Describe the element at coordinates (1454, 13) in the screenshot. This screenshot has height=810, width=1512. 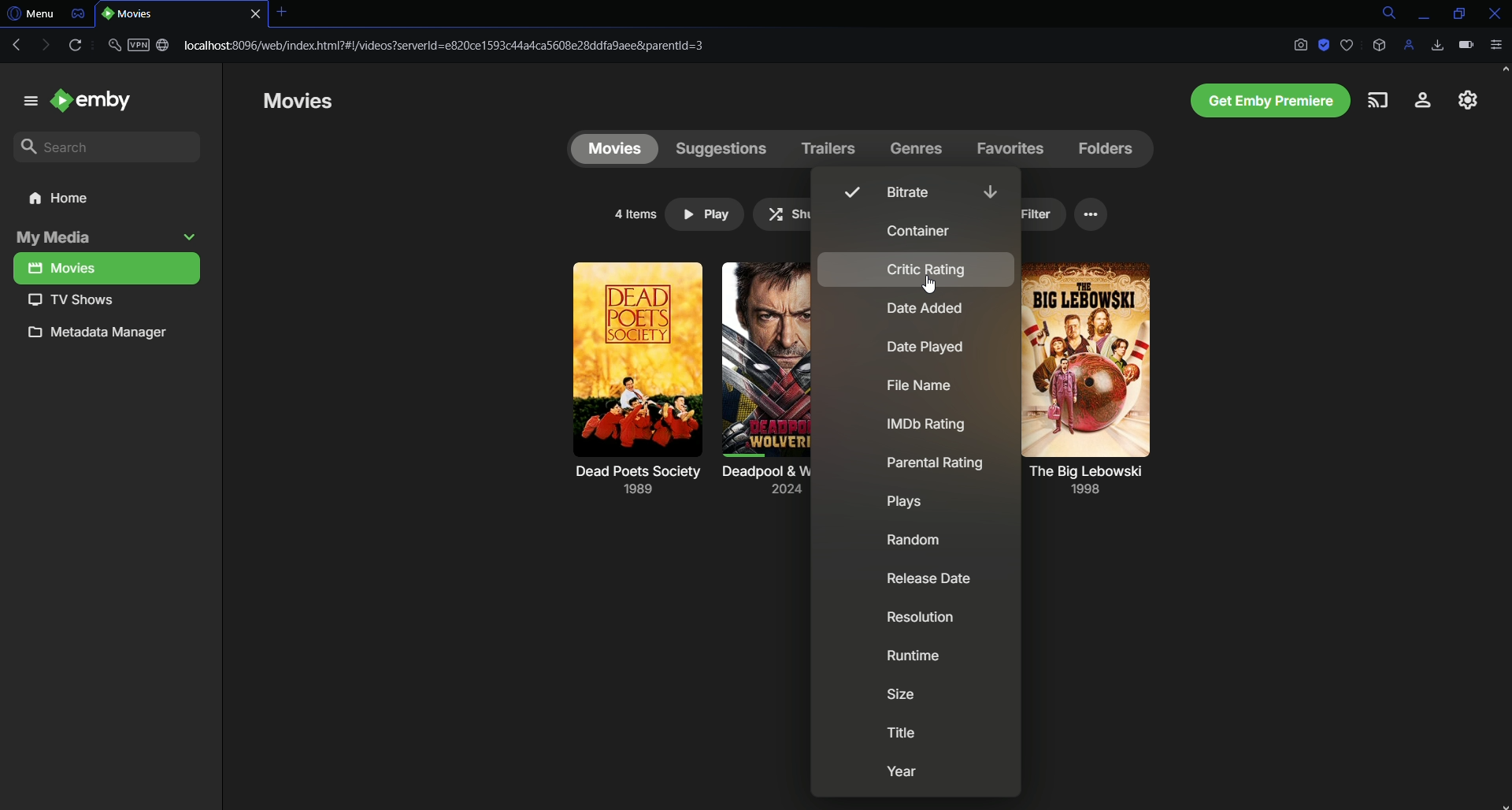
I see `Restore` at that location.